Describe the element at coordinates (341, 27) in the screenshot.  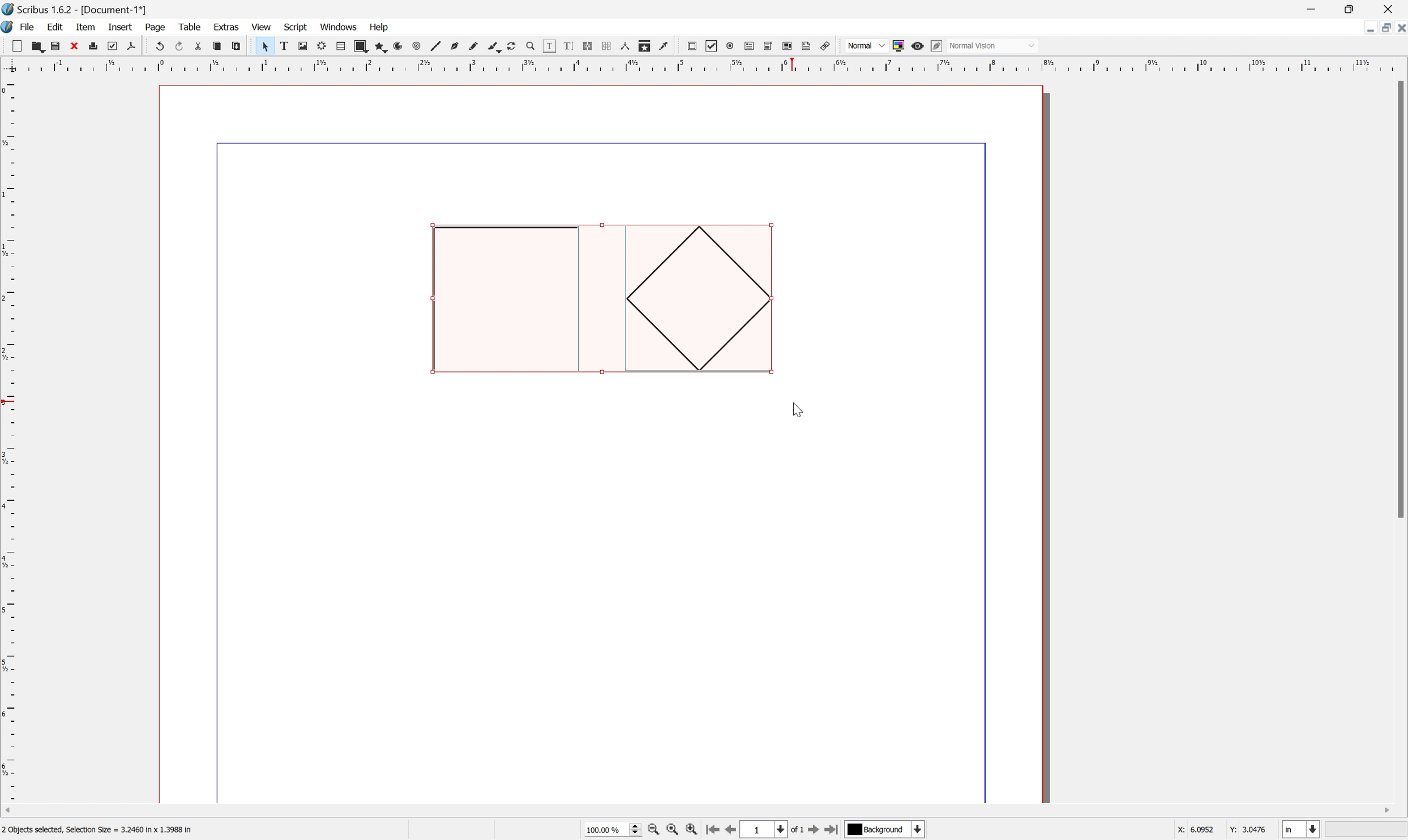
I see `windows` at that location.